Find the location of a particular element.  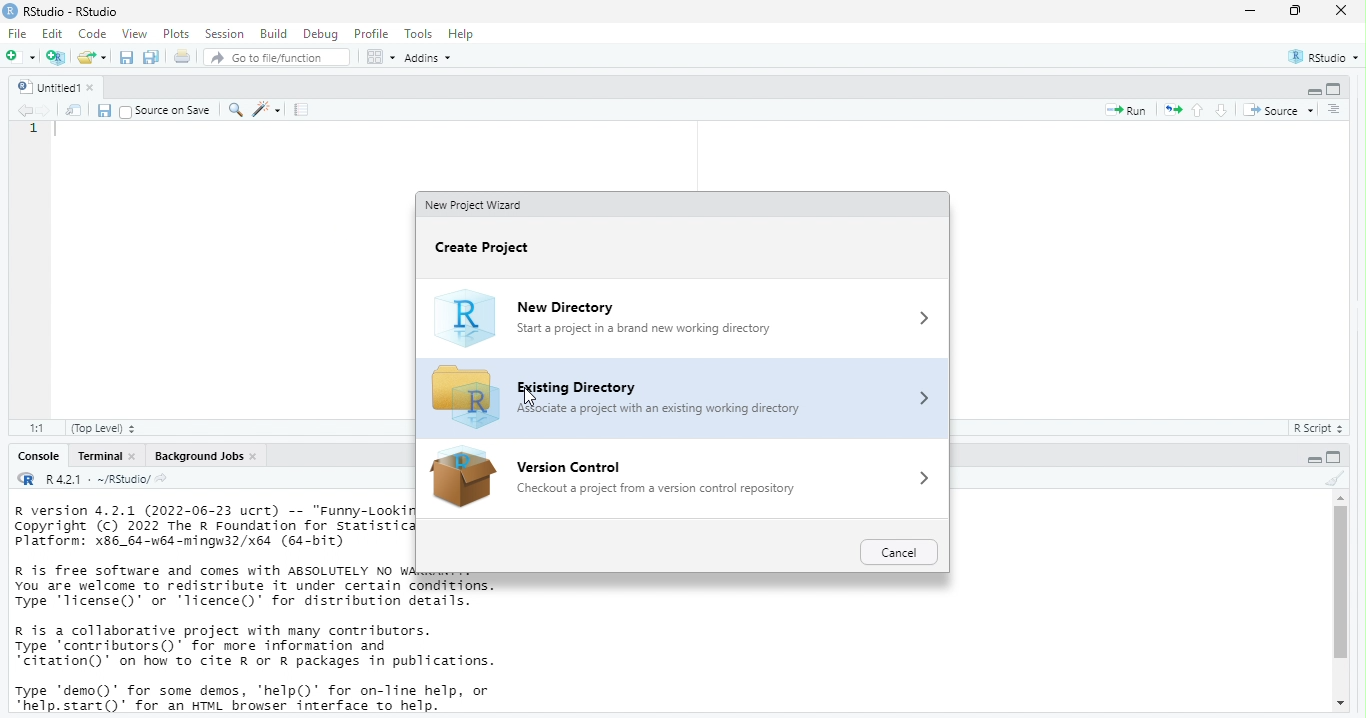

code tools is located at coordinates (266, 110).